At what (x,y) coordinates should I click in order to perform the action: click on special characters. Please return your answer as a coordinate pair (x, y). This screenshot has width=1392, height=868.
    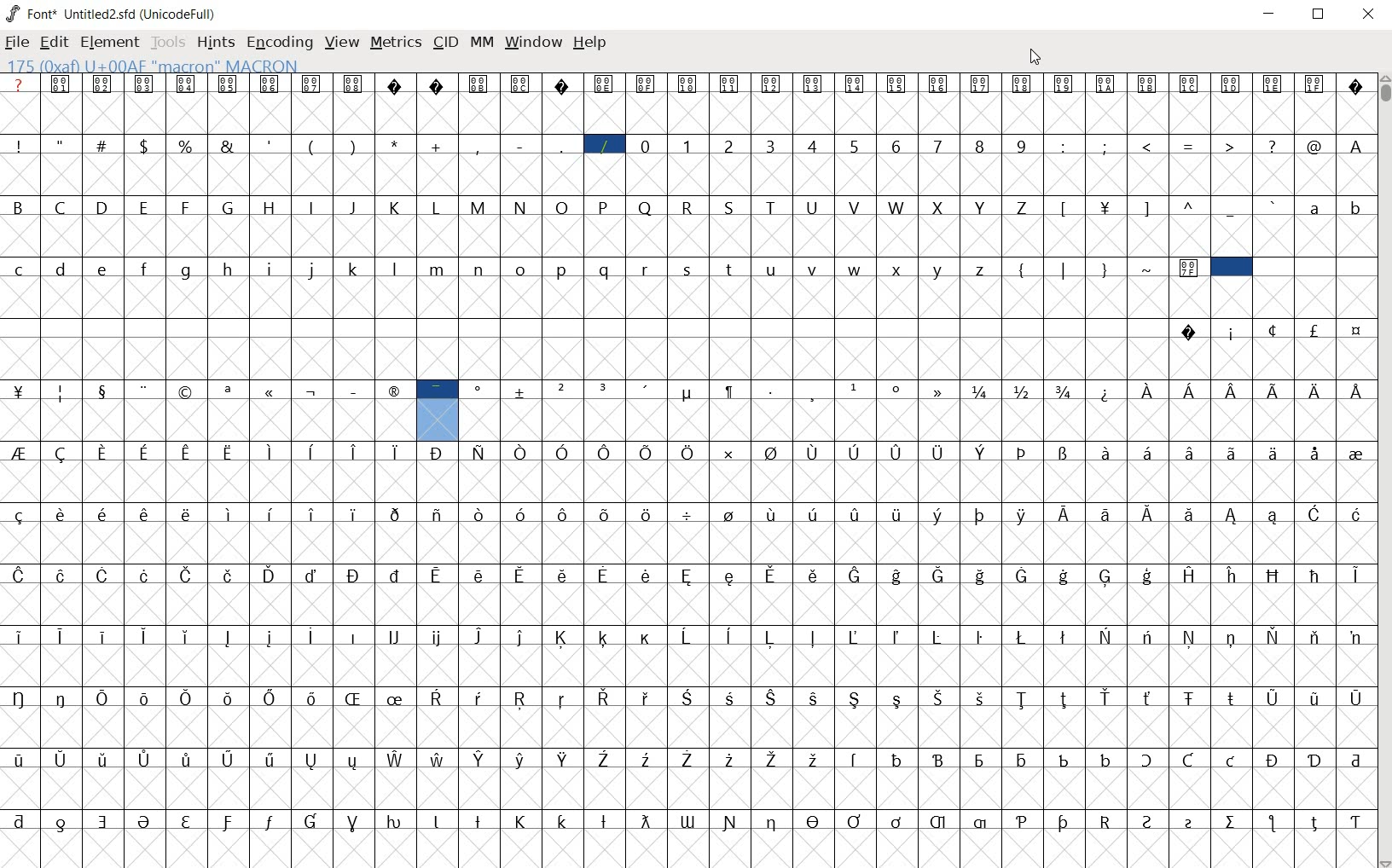
    Looking at the image, I should click on (542, 165).